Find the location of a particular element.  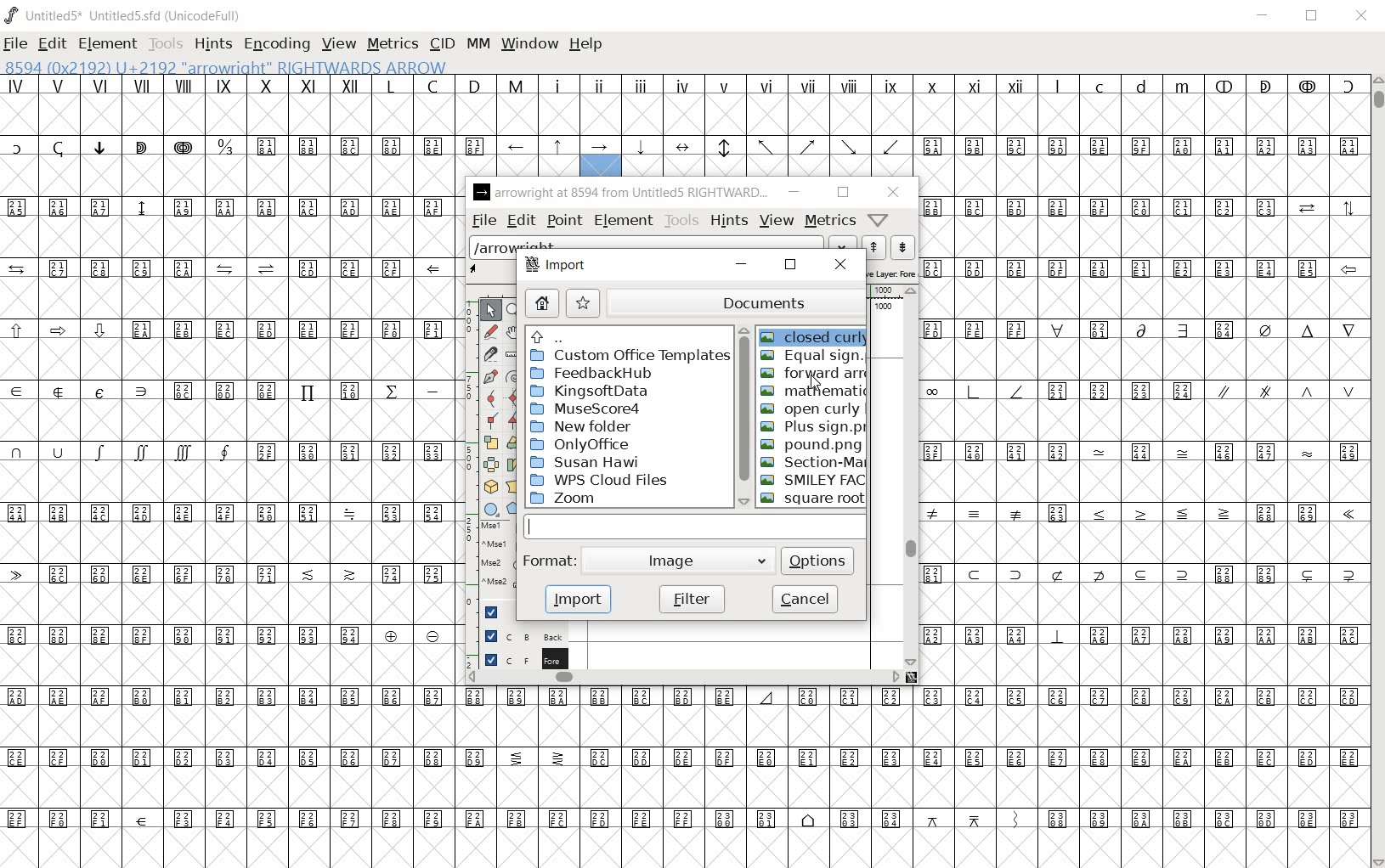

view is located at coordinates (778, 220).